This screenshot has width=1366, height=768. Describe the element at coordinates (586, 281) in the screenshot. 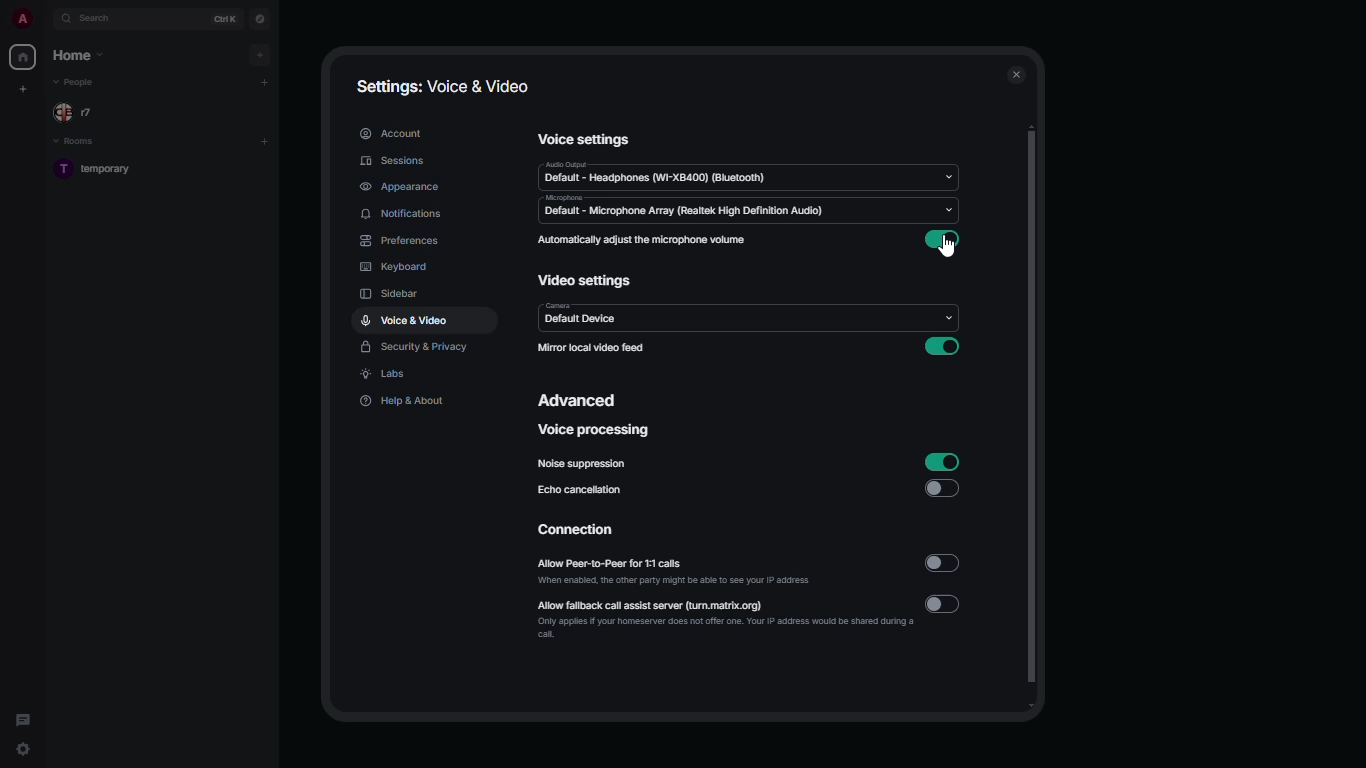

I see `video settings` at that location.